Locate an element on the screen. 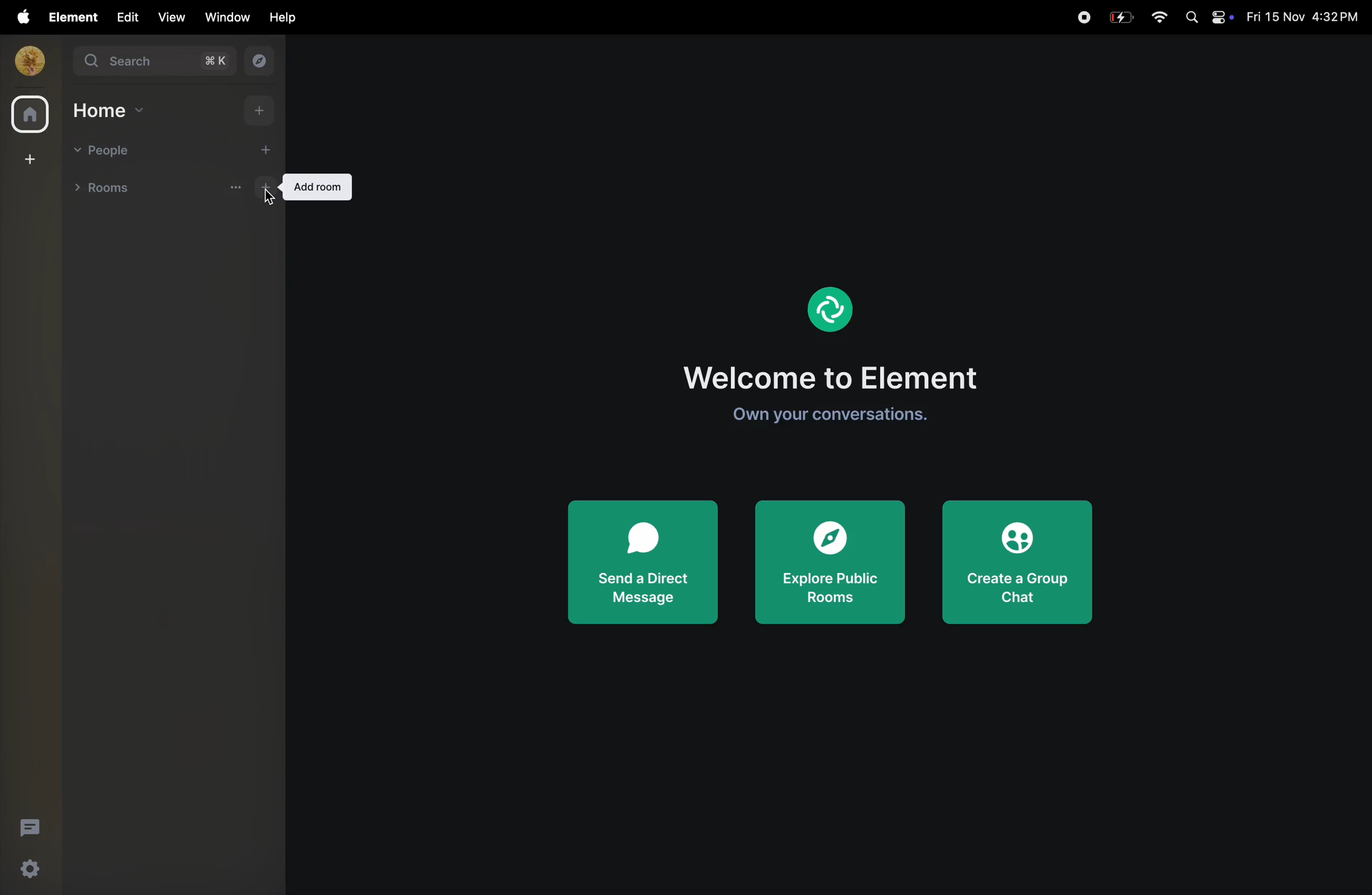 Image resolution: width=1372 pixels, height=895 pixels. add room is located at coordinates (319, 188).